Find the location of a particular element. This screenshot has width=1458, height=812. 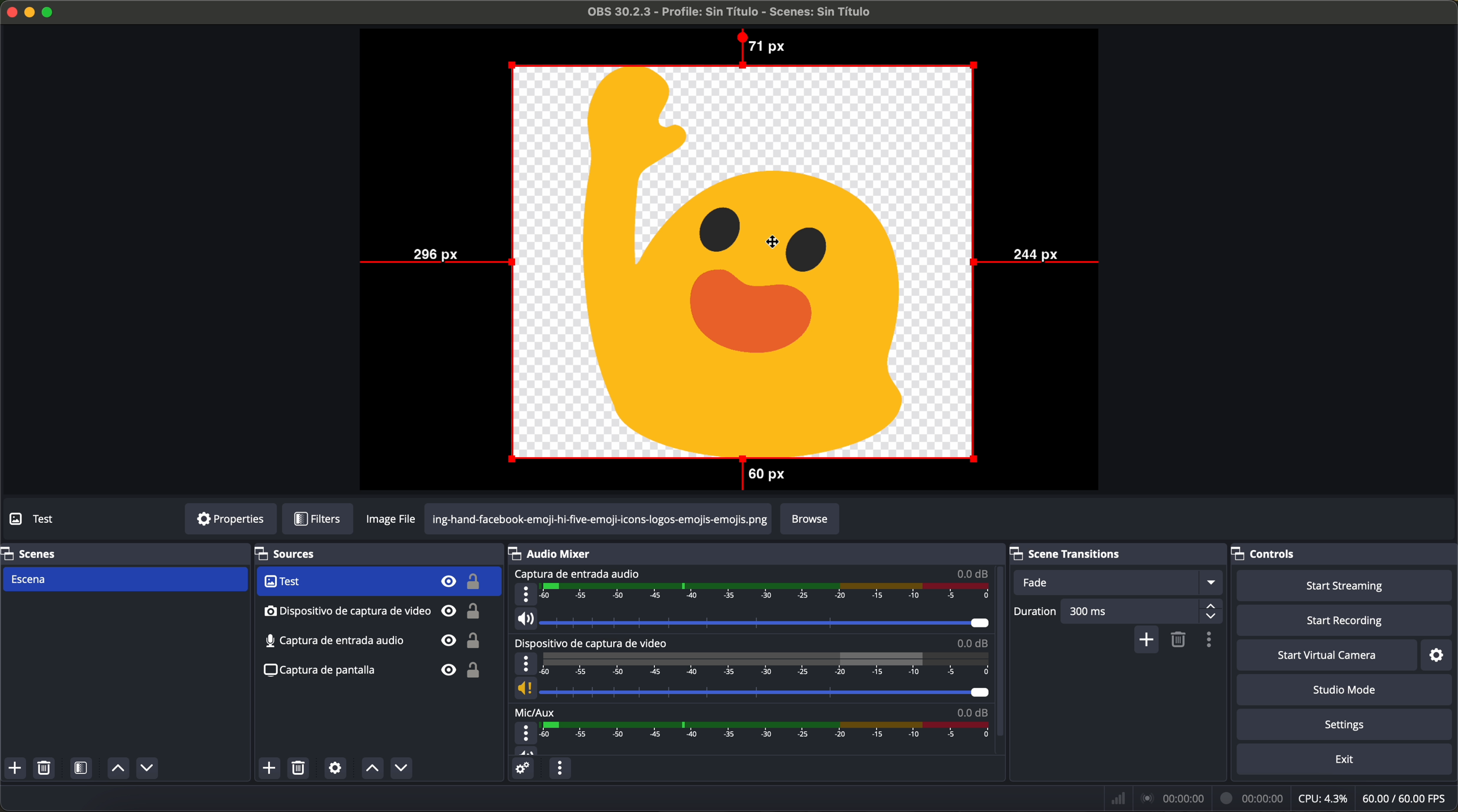

cursor is located at coordinates (769, 242).